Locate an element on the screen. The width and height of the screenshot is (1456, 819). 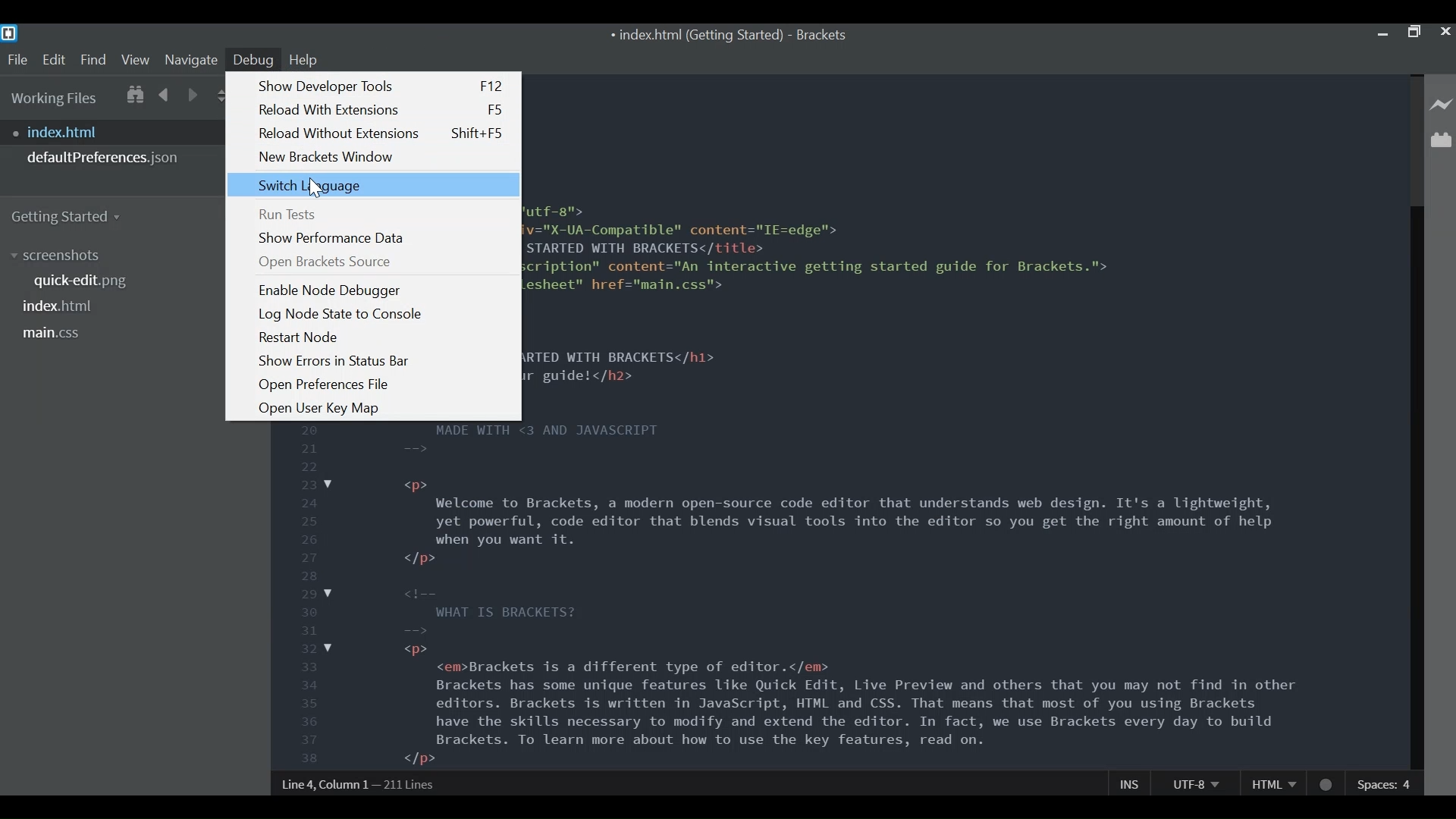
line number is located at coordinates (306, 595).